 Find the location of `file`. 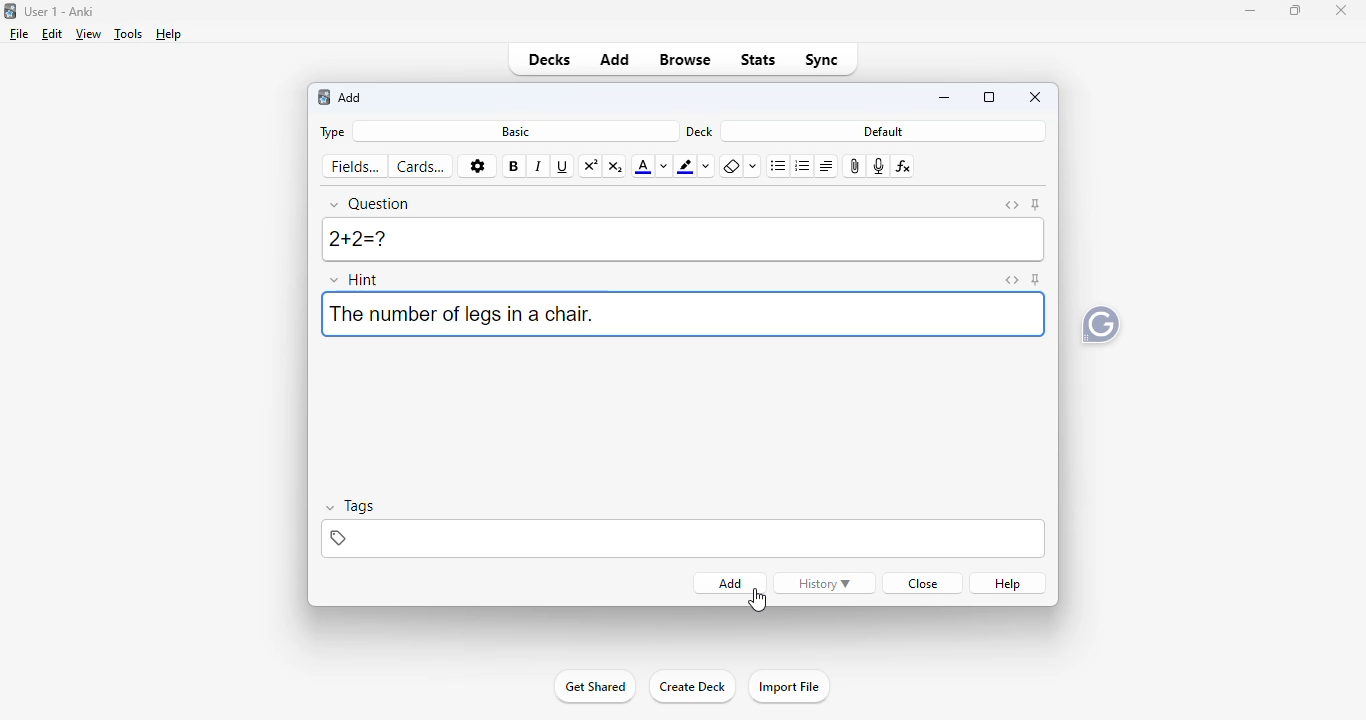

file is located at coordinates (20, 34).